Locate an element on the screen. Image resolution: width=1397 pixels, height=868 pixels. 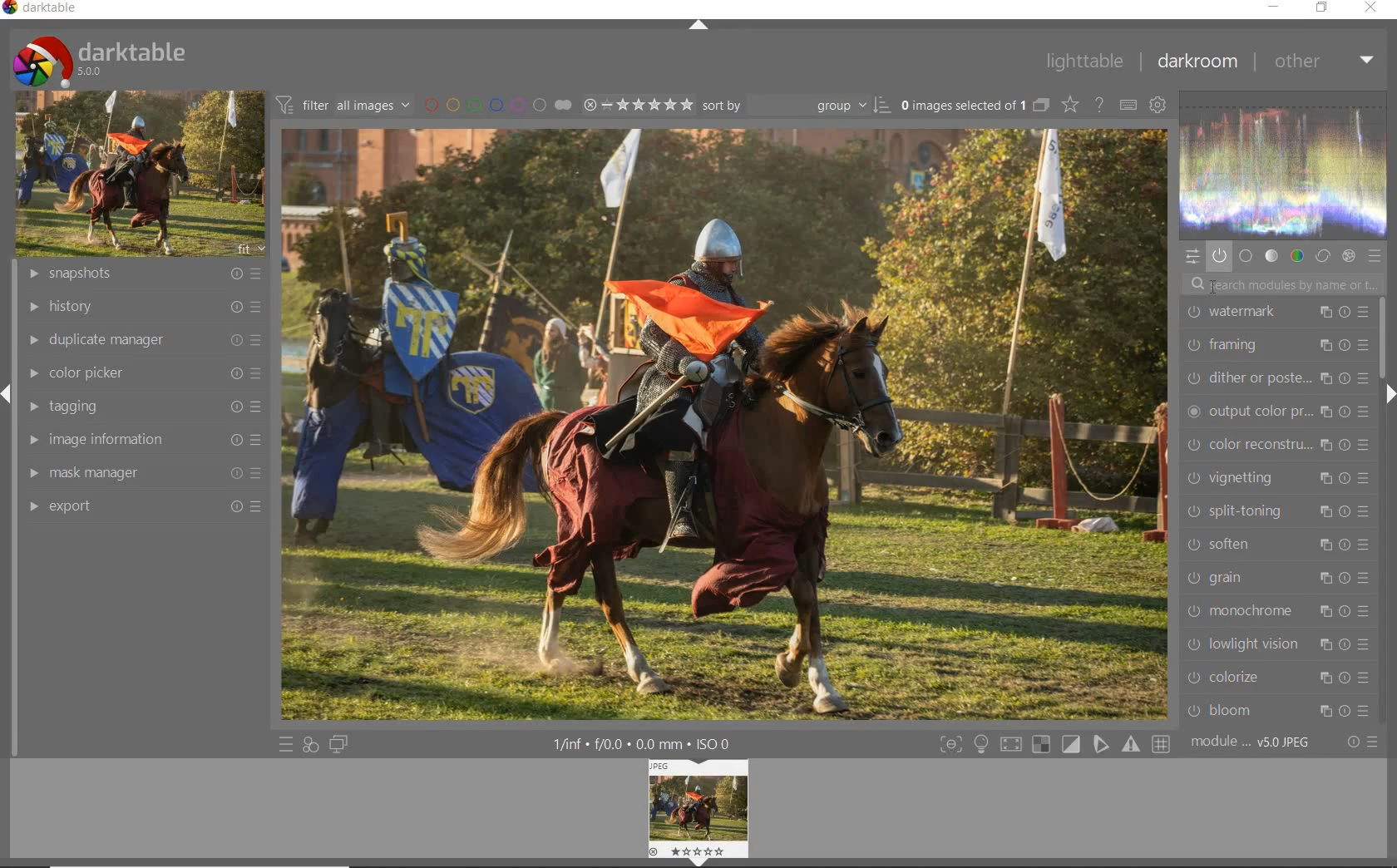
export is located at coordinates (140, 506).